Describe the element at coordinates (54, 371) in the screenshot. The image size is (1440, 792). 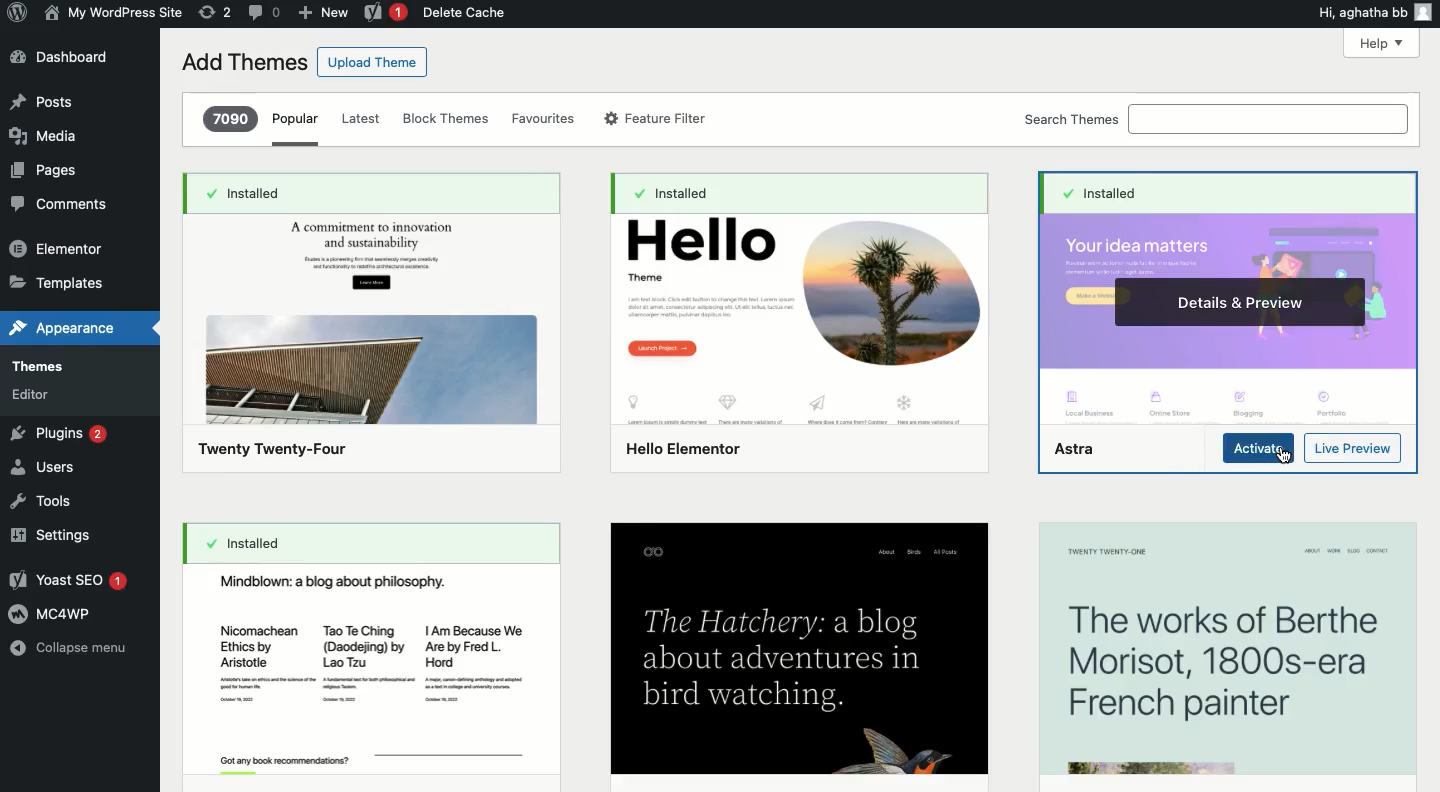
I see `Themes` at that location.